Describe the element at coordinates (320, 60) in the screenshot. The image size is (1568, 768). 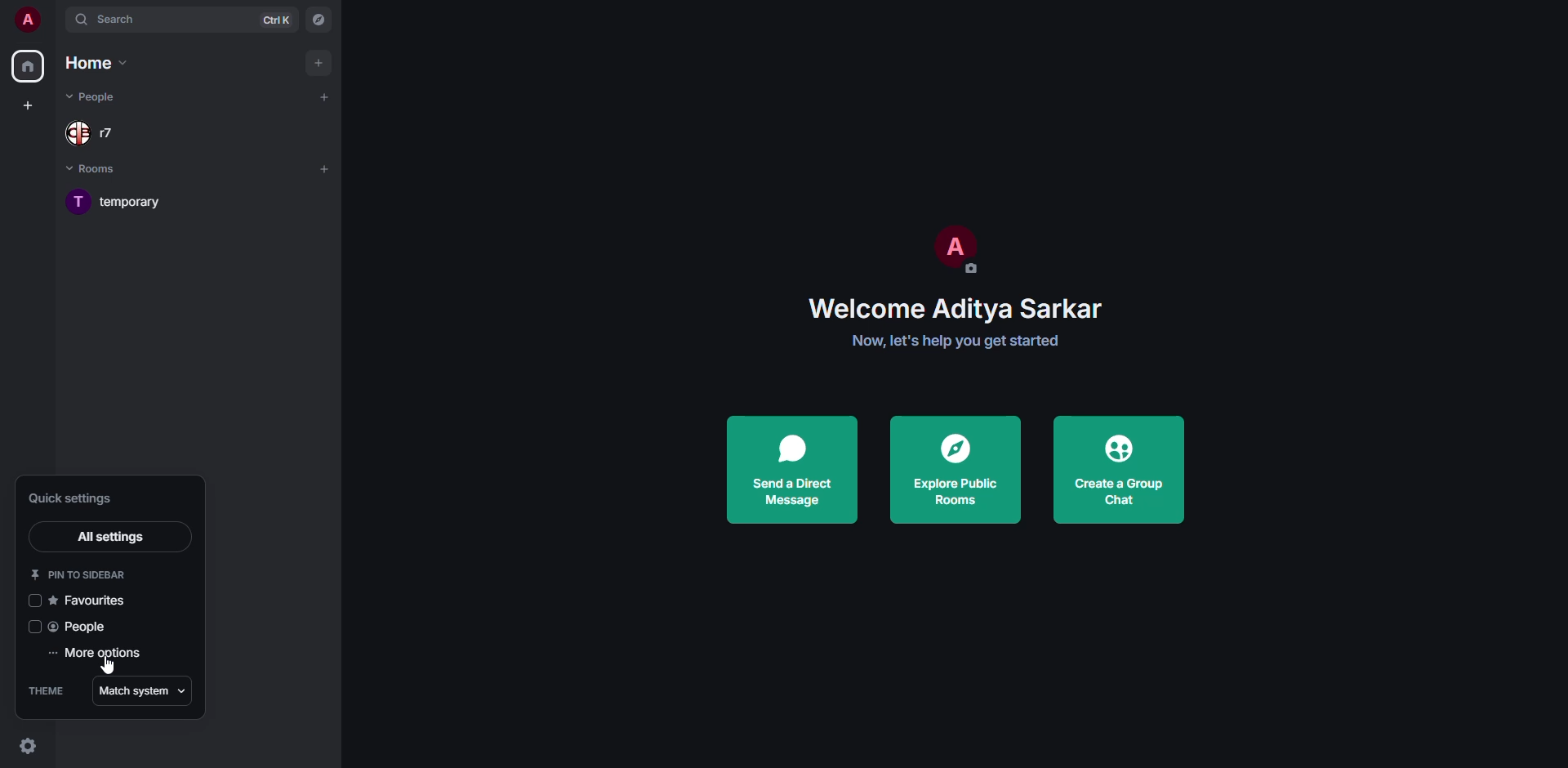
I see `add` at that location.